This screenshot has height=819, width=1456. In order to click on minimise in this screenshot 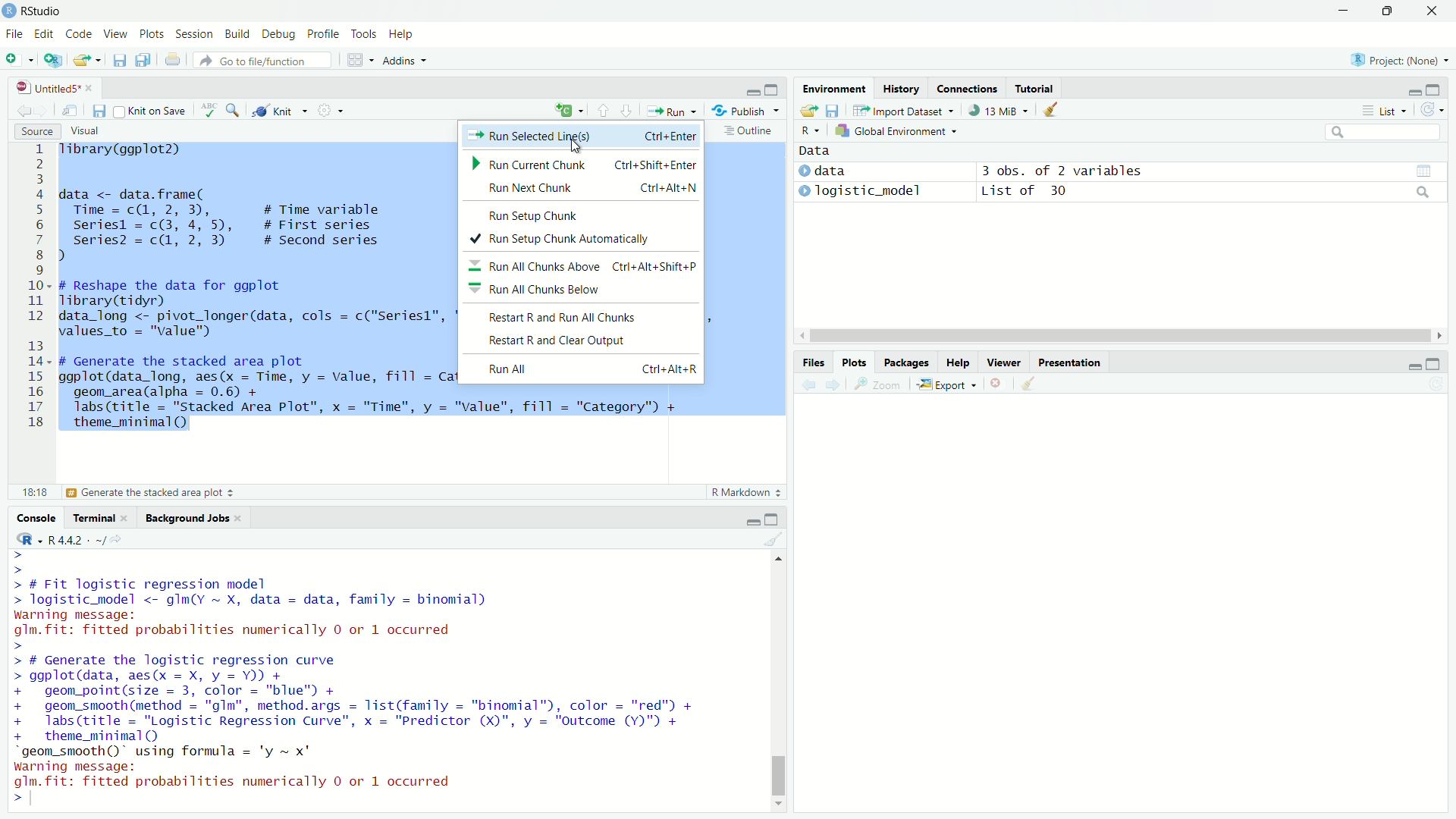, I will do `click(1409, 365)`.